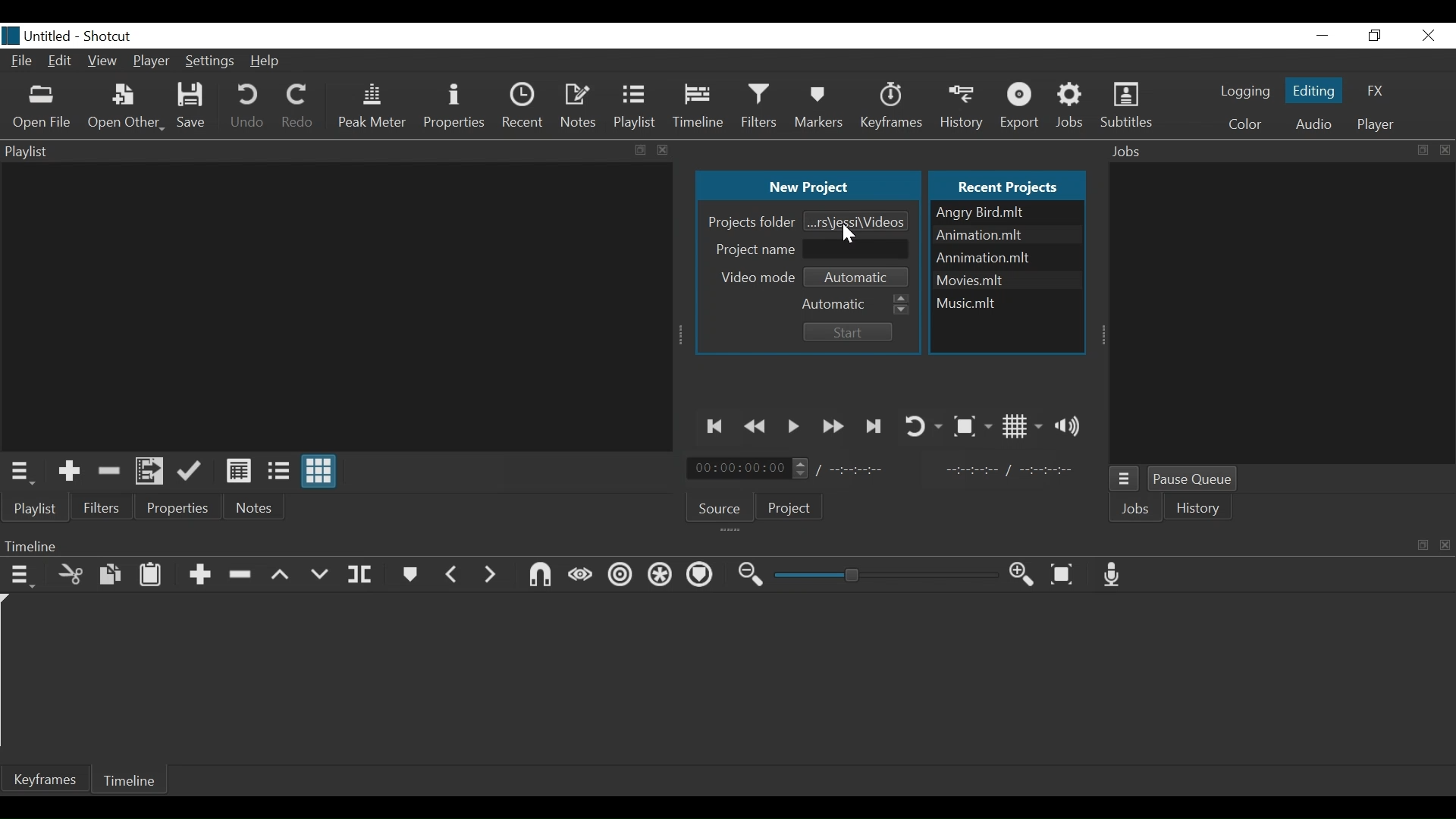 This screenshot has width=1456, height=819. Describe the element at coordinates (702, 576) in the screenshot. I see `Ripple Markers` at that location.